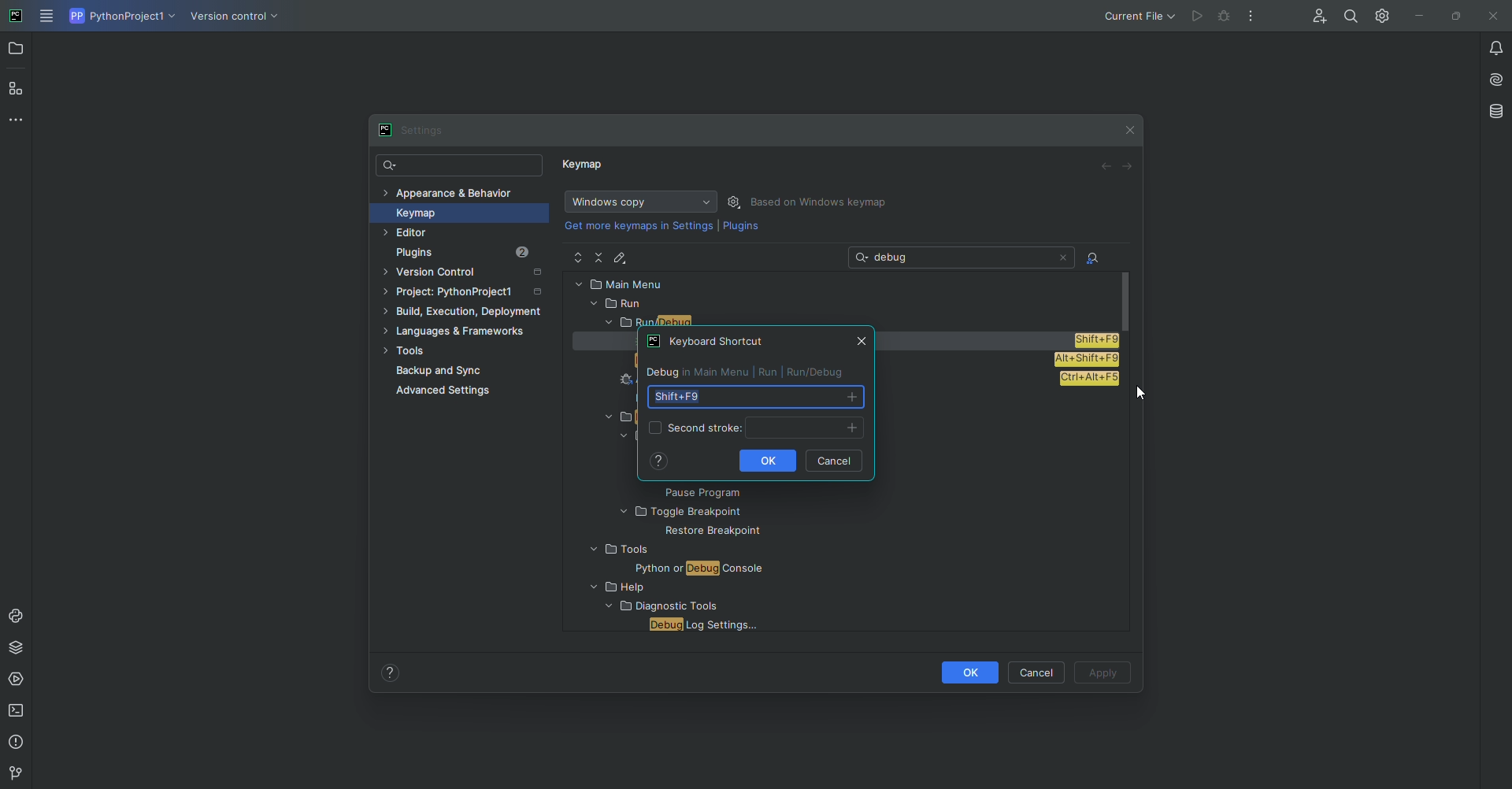 Image resolution: width=1512 pixels, height=789 pixels. I want to click on Apply, so click(1104, 674).